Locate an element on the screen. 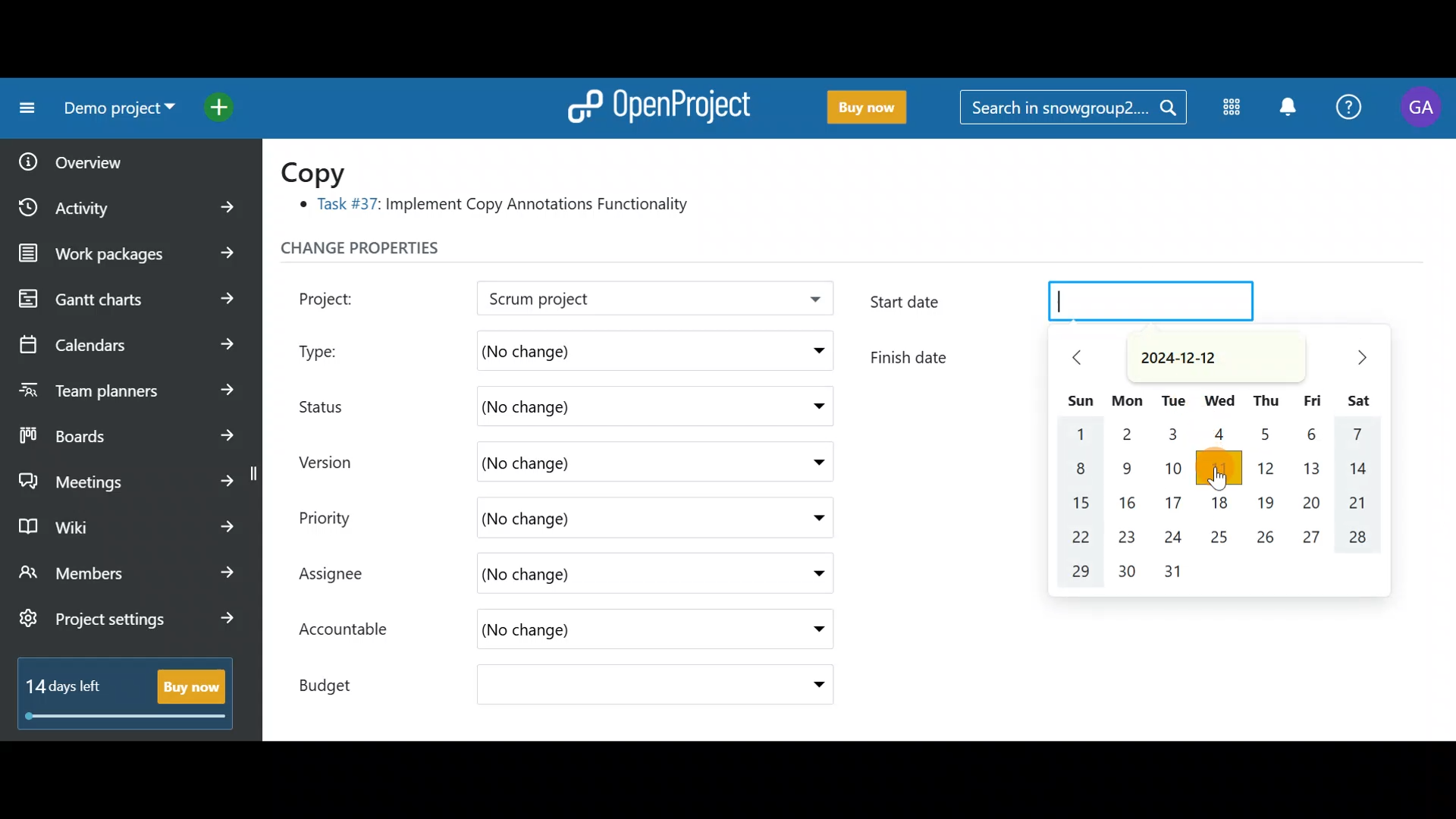 This screenshot has height=819, width=1456. 14 days left - Buy now is located at coordinates (118, 690).